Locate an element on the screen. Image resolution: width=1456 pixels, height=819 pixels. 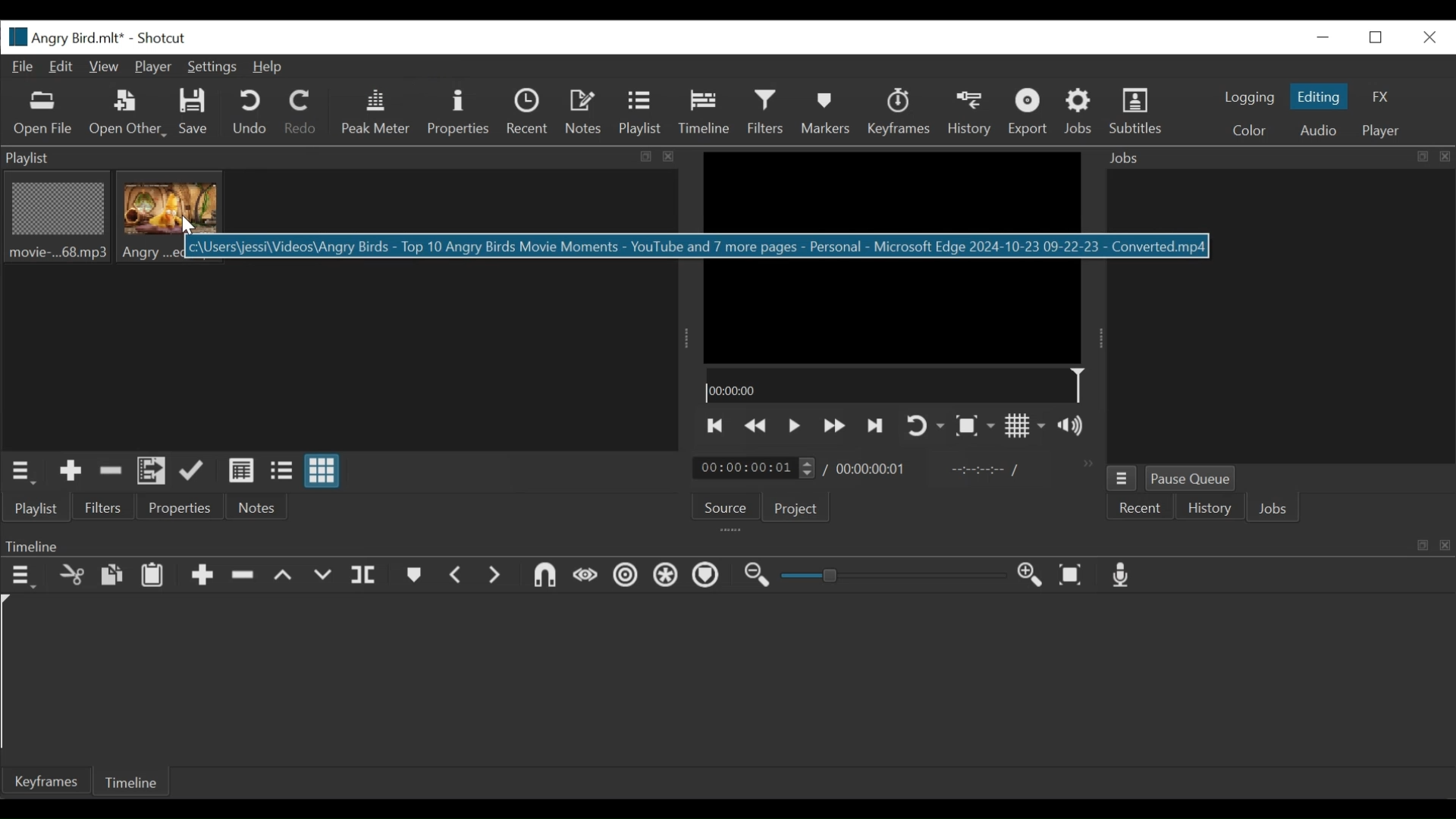
Clip is located at coordinates (55, 219).